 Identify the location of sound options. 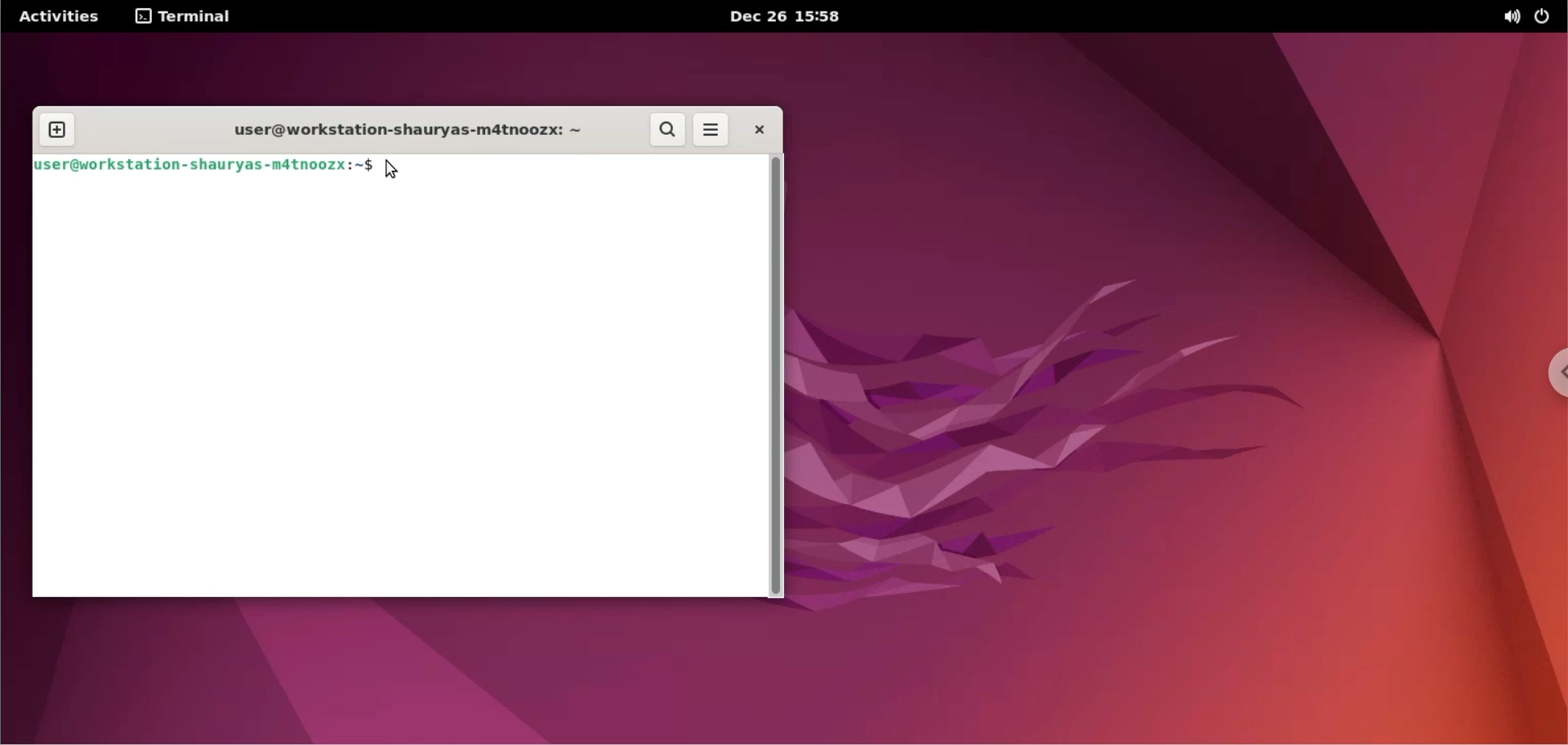
(1511, 17).